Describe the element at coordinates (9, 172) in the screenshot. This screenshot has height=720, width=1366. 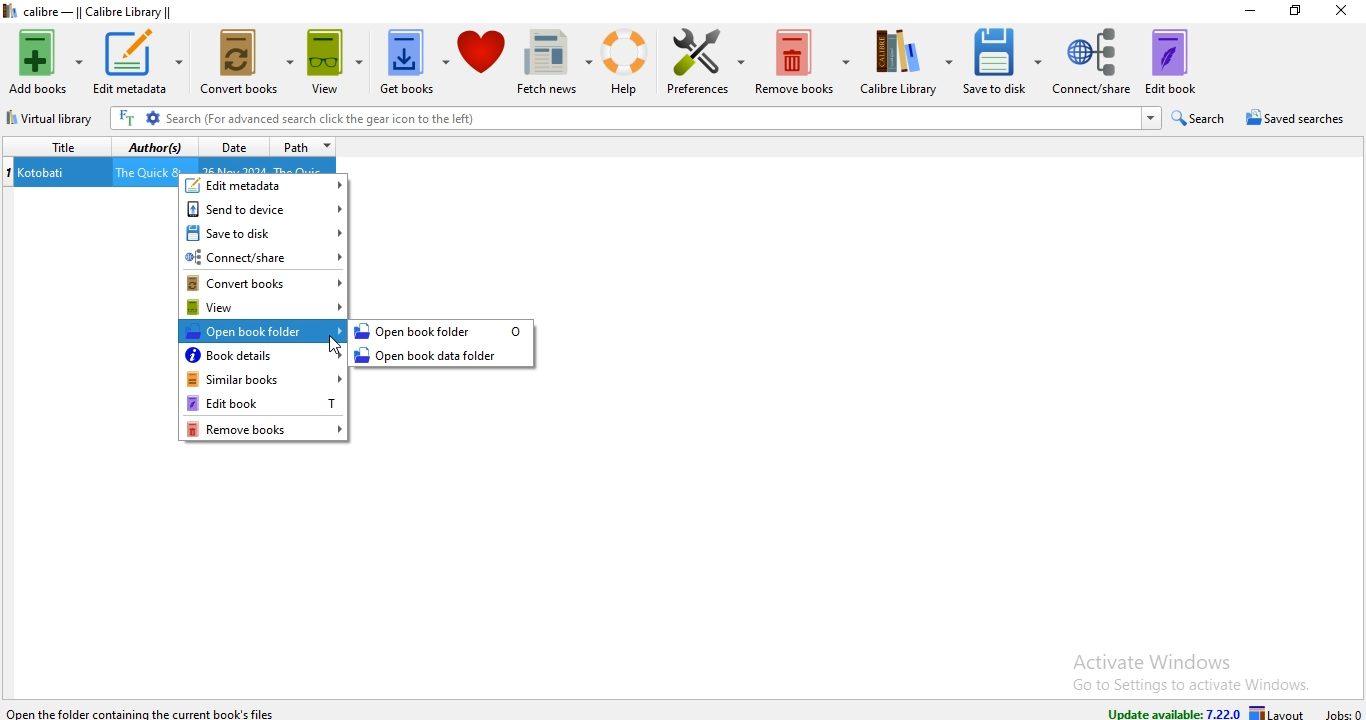
I see `index no` at that location.